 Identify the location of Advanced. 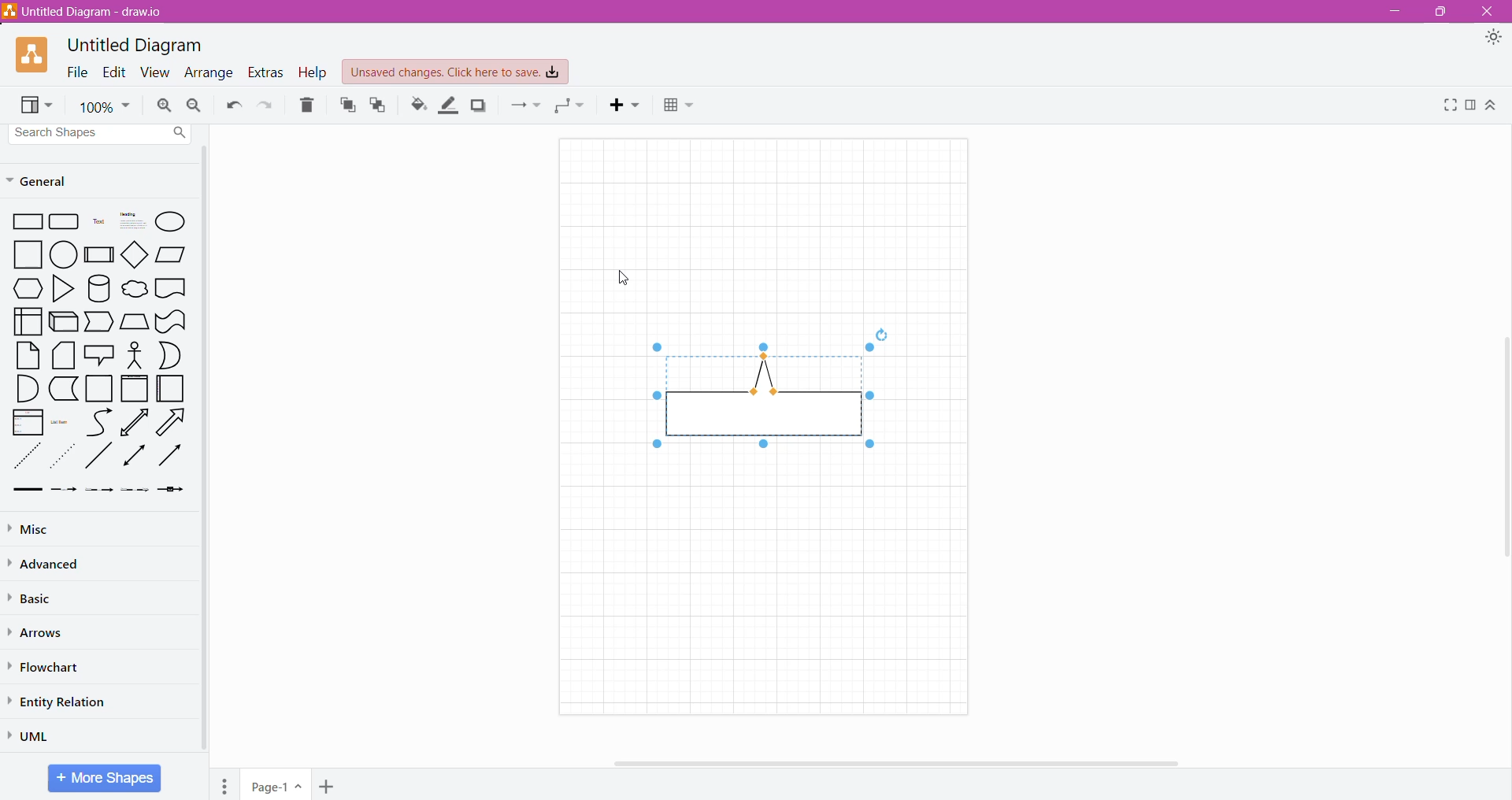
(47, 564).